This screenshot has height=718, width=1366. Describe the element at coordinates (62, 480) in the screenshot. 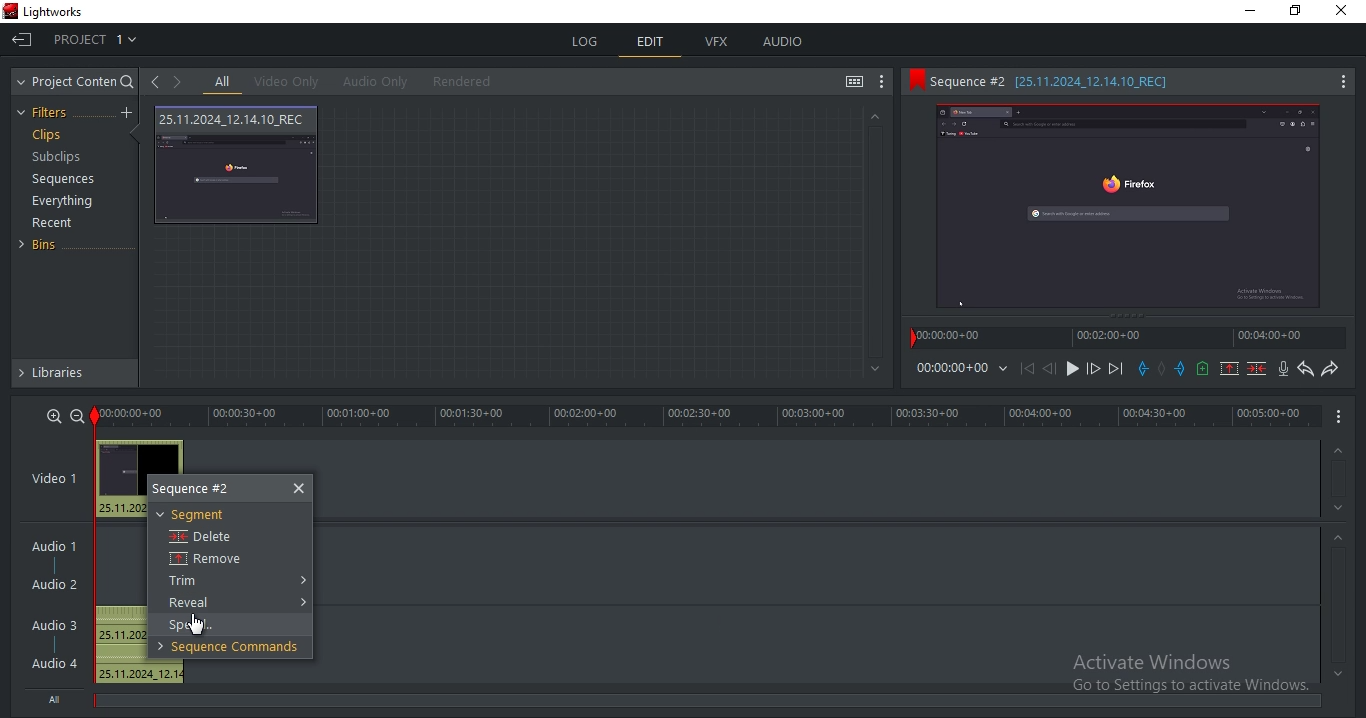

I see `video` at that location.